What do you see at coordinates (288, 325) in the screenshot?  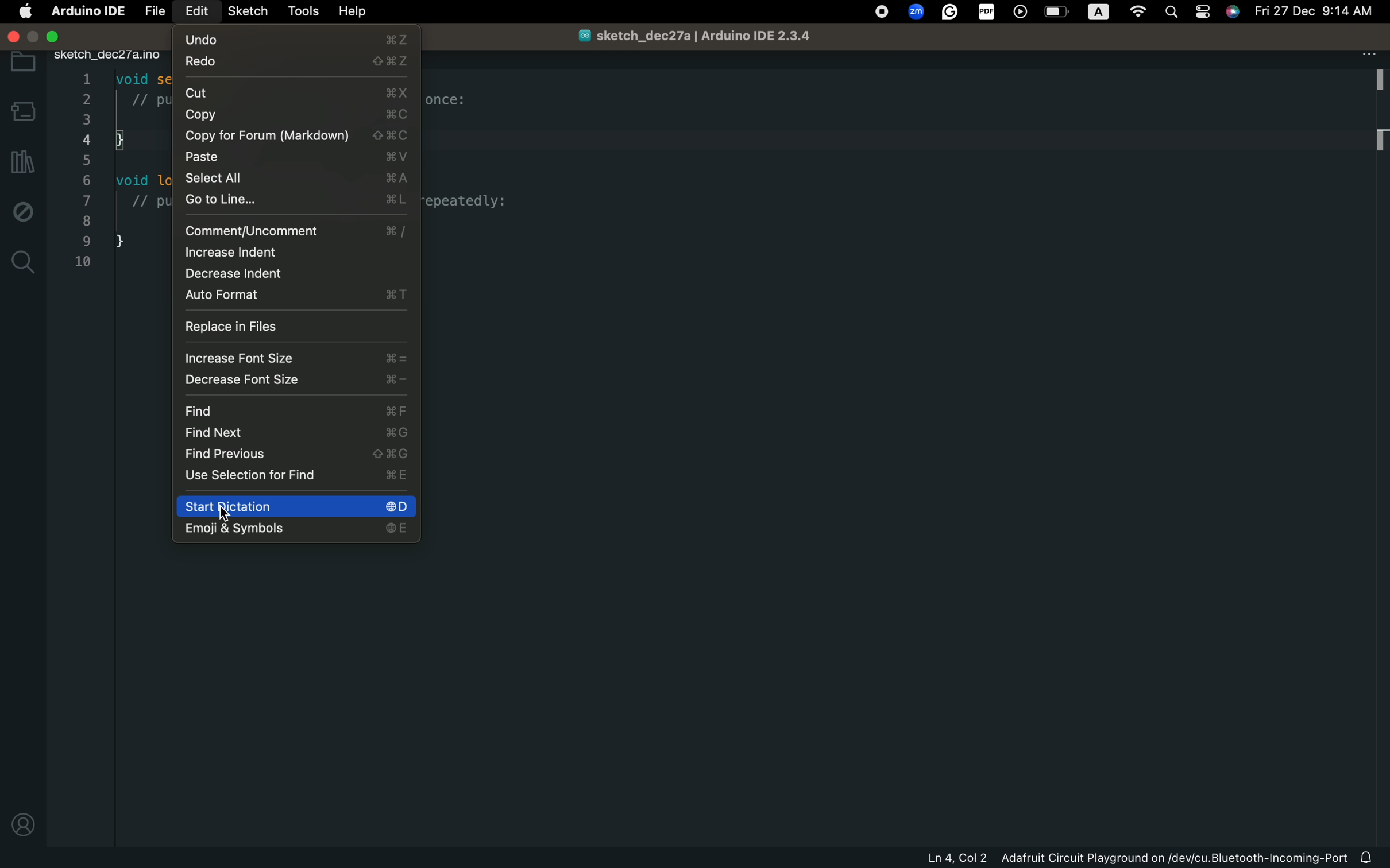 I see `replace in files` at bounding box center [288, 325].